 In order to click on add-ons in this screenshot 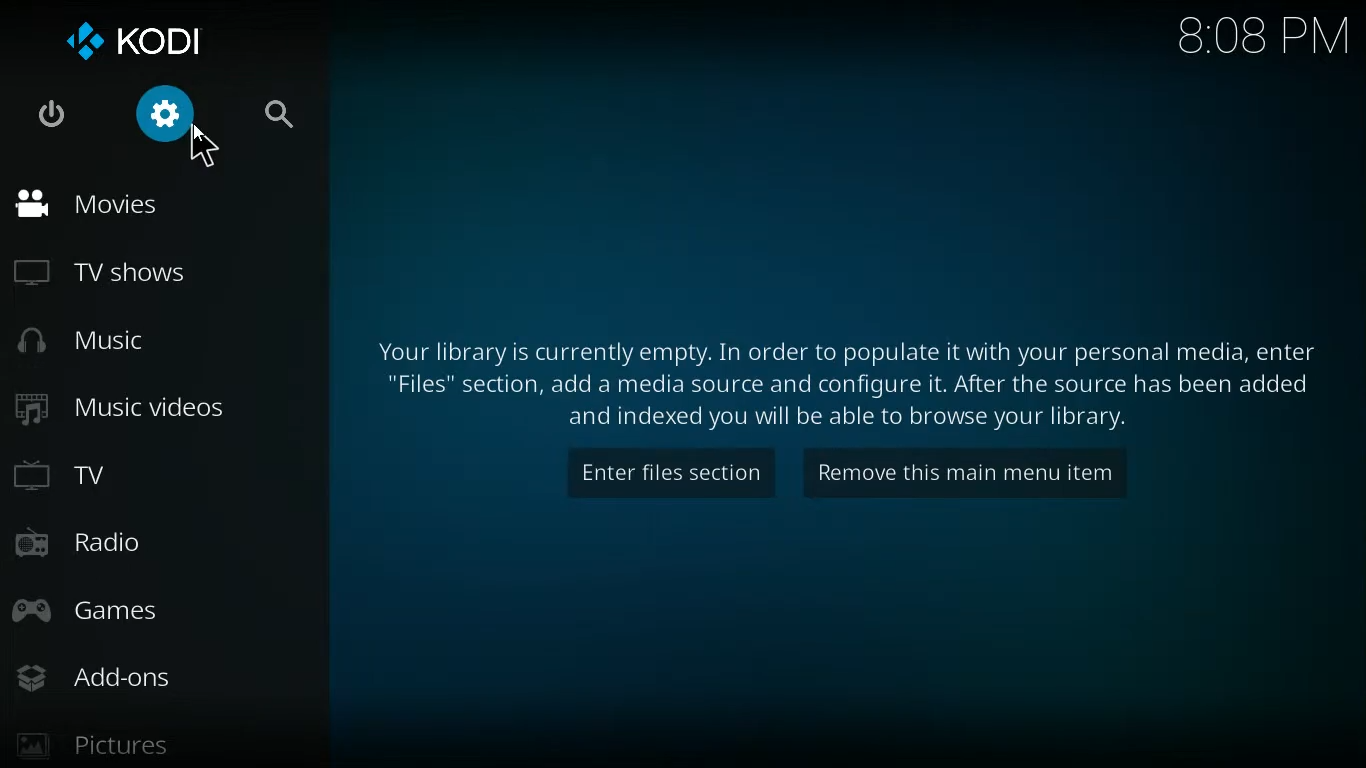, I will do `click(108, 680)`.